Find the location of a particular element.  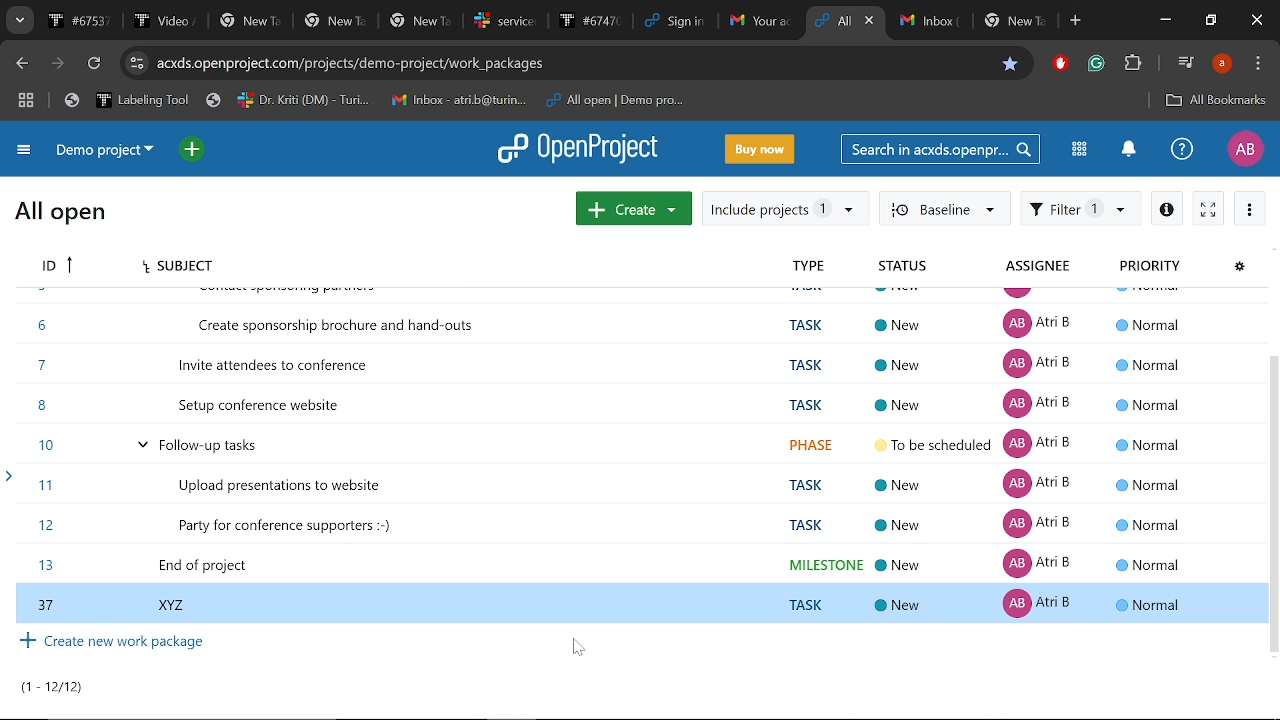

 is located at coordinates (759, 149).